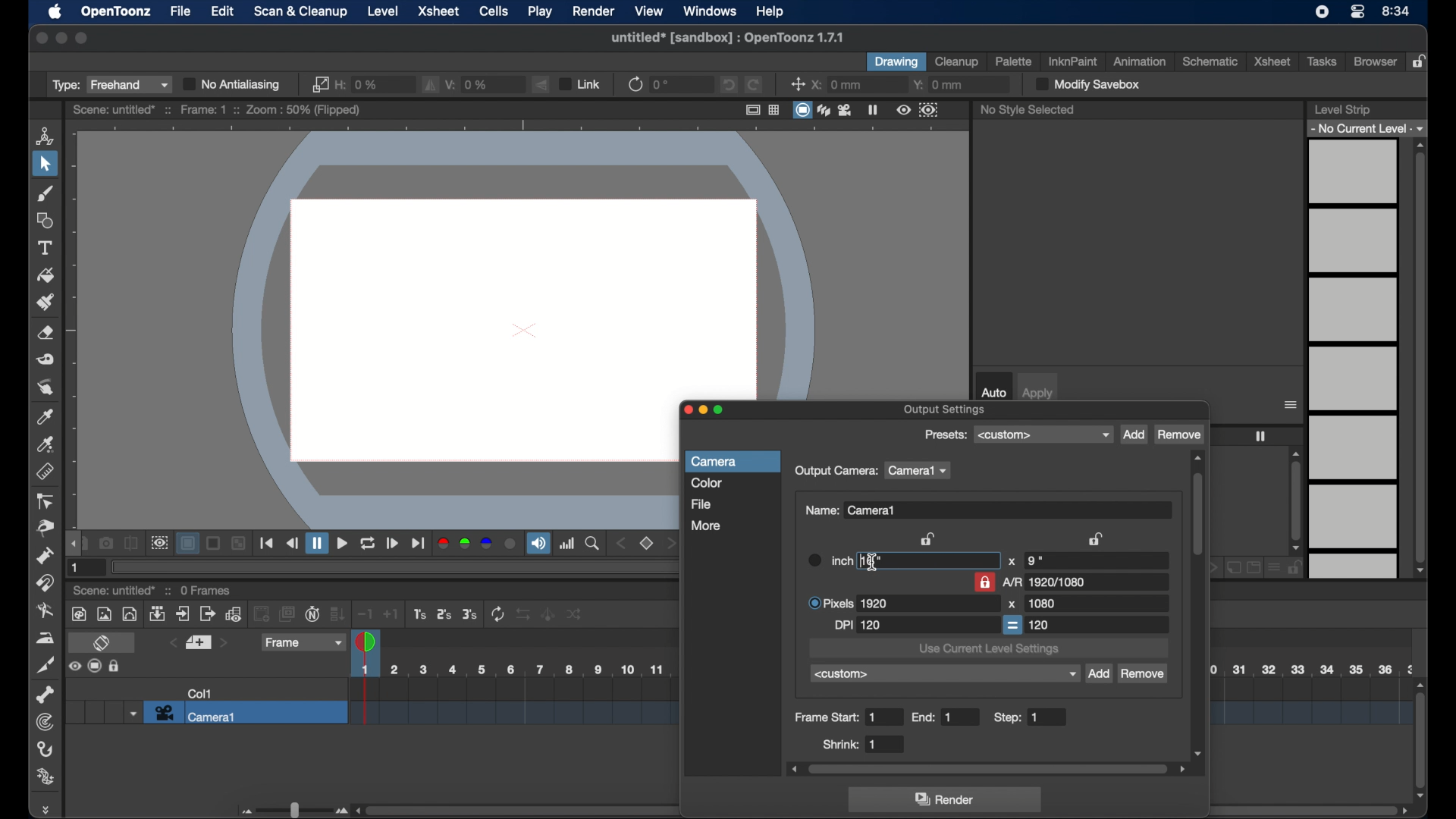  I want to click on tape tool, so click(46, 359).